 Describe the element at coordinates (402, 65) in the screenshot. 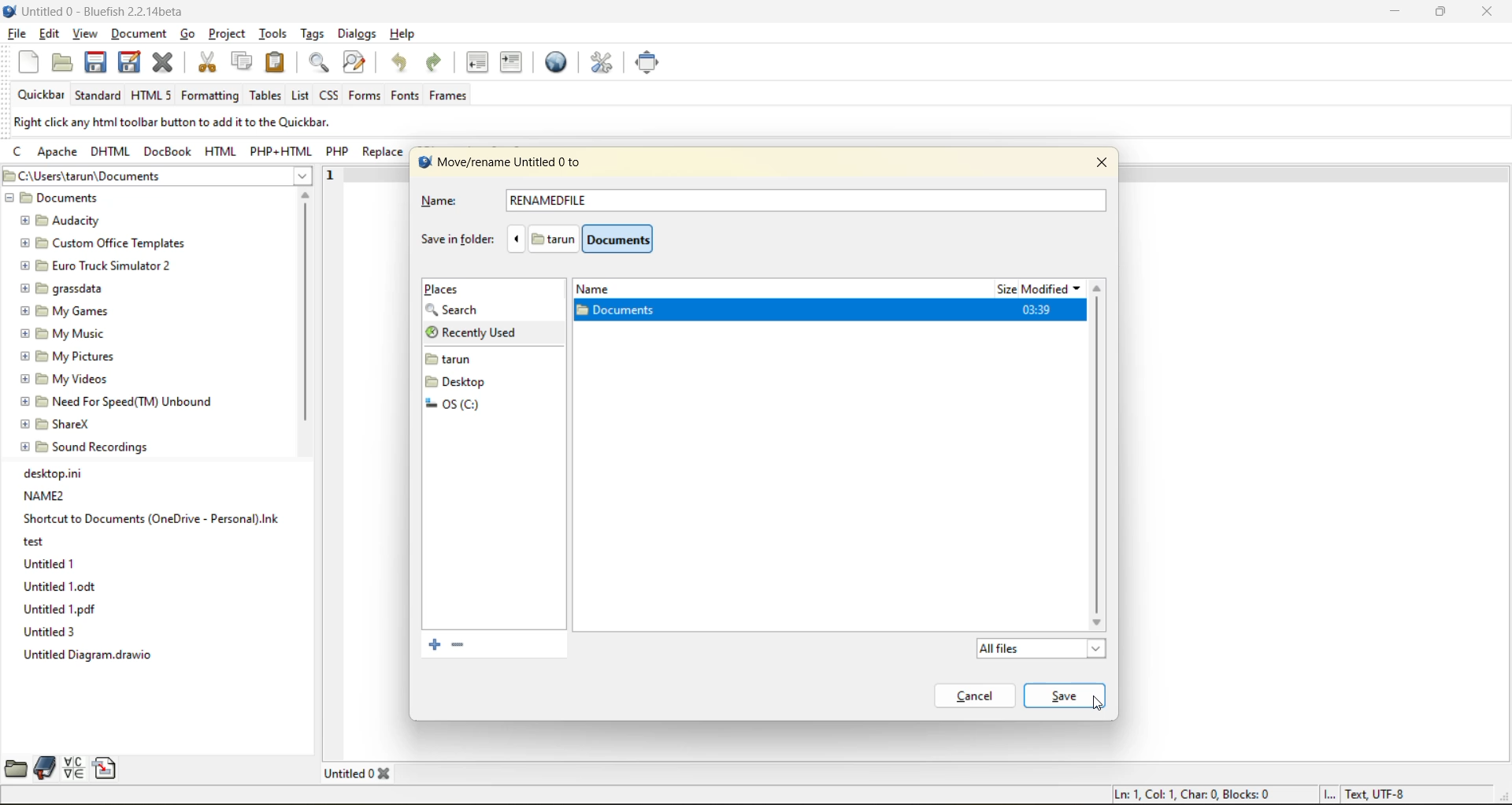

I see `undo` at that location.